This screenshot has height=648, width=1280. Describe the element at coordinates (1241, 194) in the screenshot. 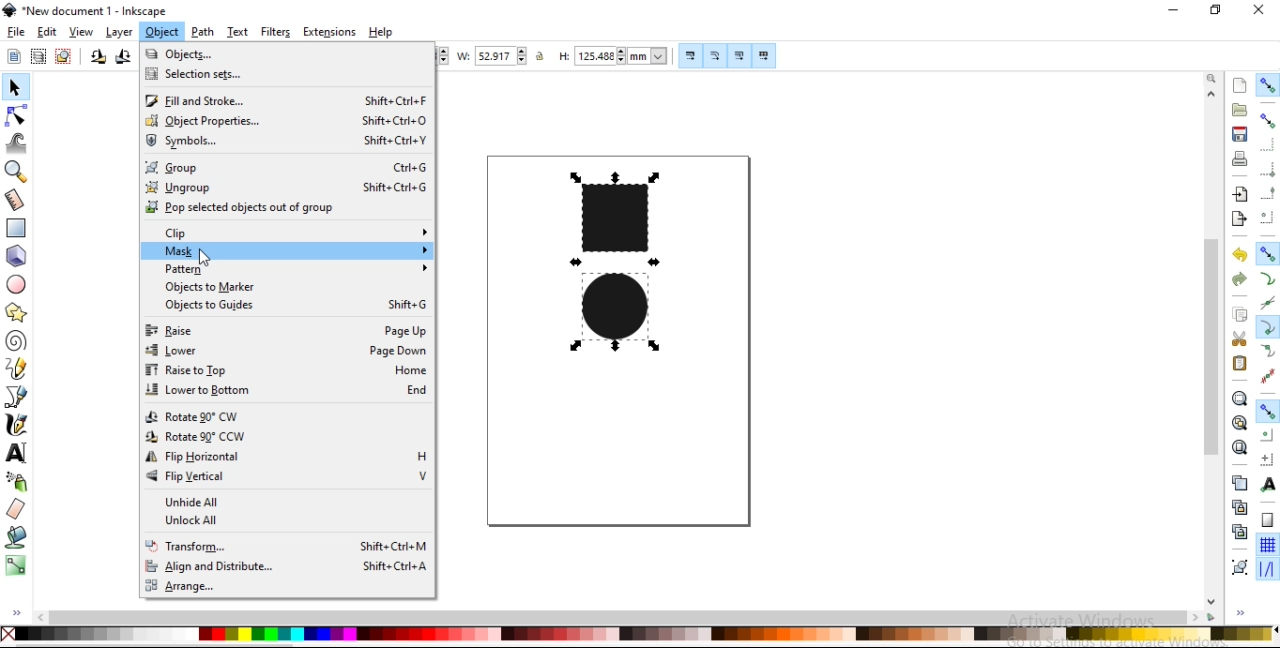

I see `import a bitmap` at that location.